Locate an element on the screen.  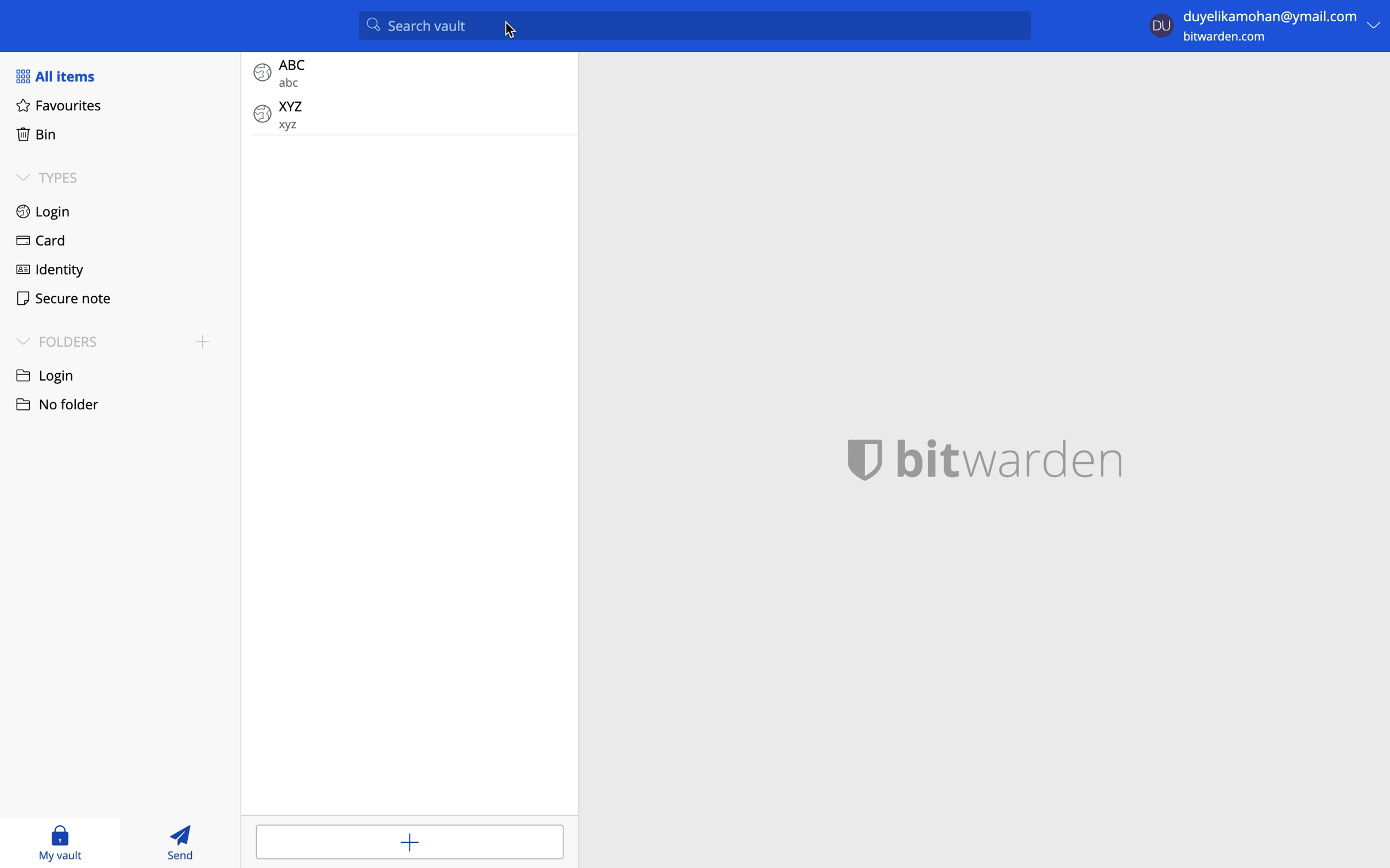
bin is located at coordinates (38, 135).